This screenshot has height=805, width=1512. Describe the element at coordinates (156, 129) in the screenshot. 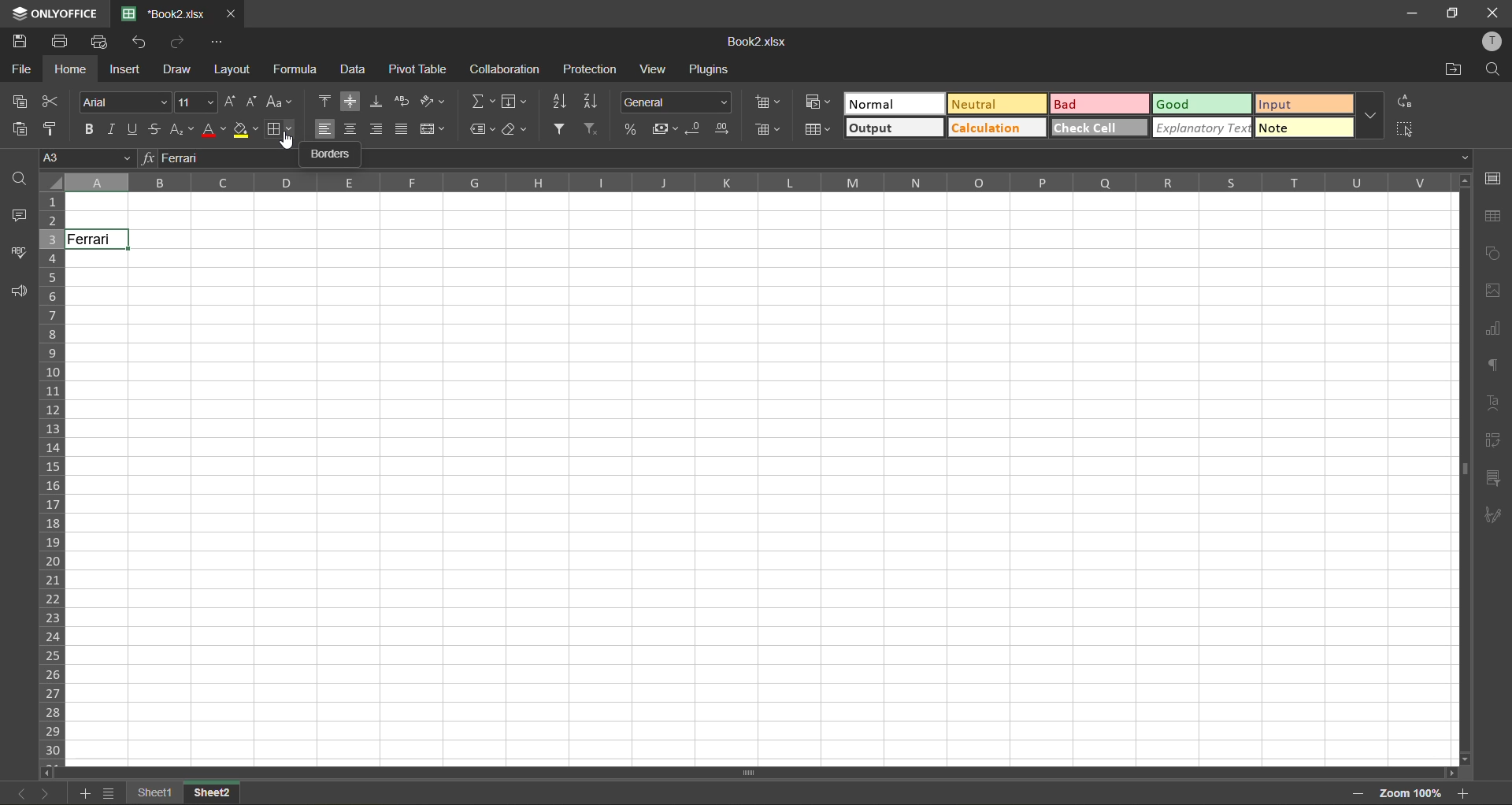

I see `strikethrough` at that location.